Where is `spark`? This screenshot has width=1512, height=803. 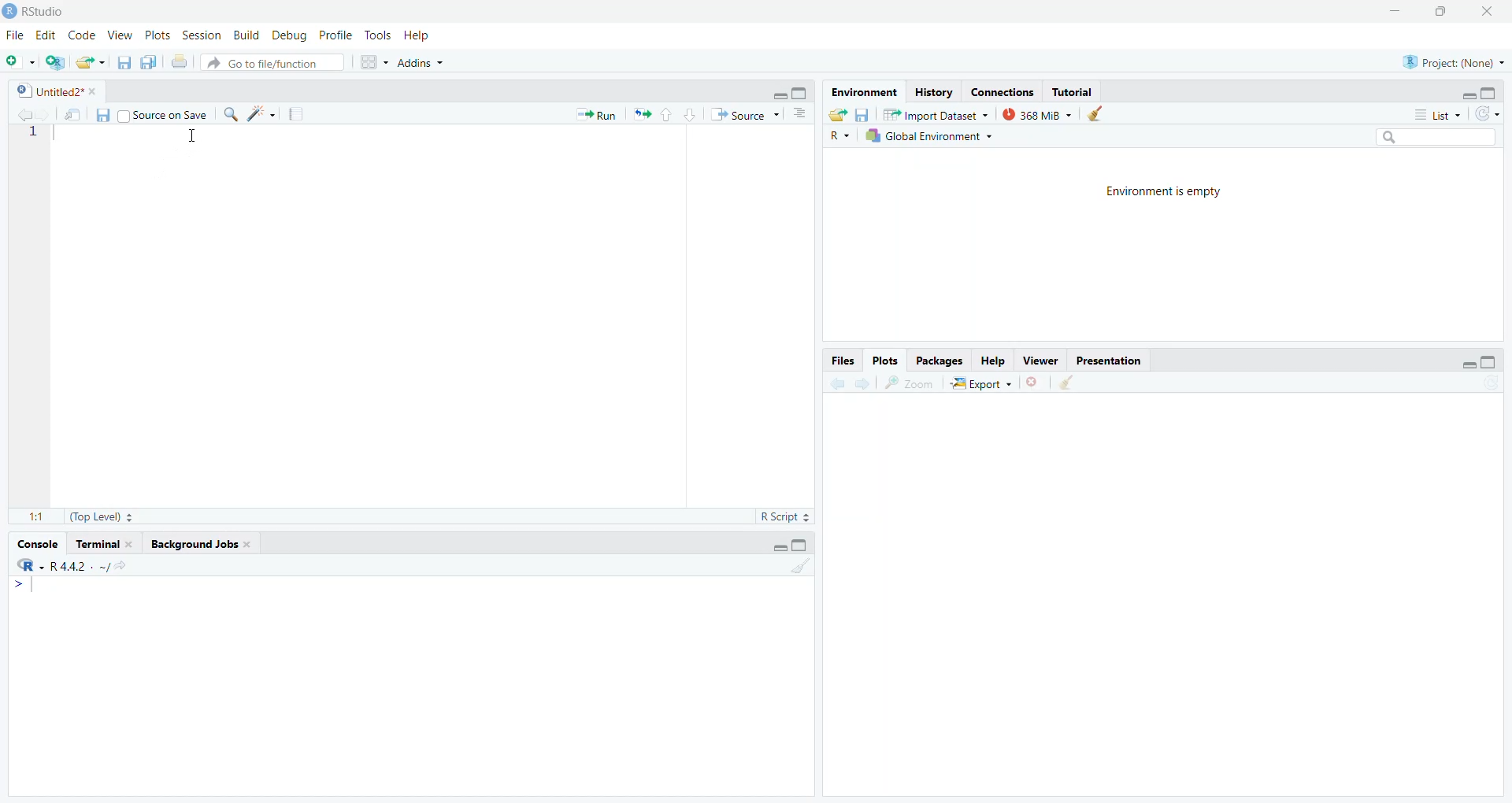 spark is located at coordinates (260, 113).